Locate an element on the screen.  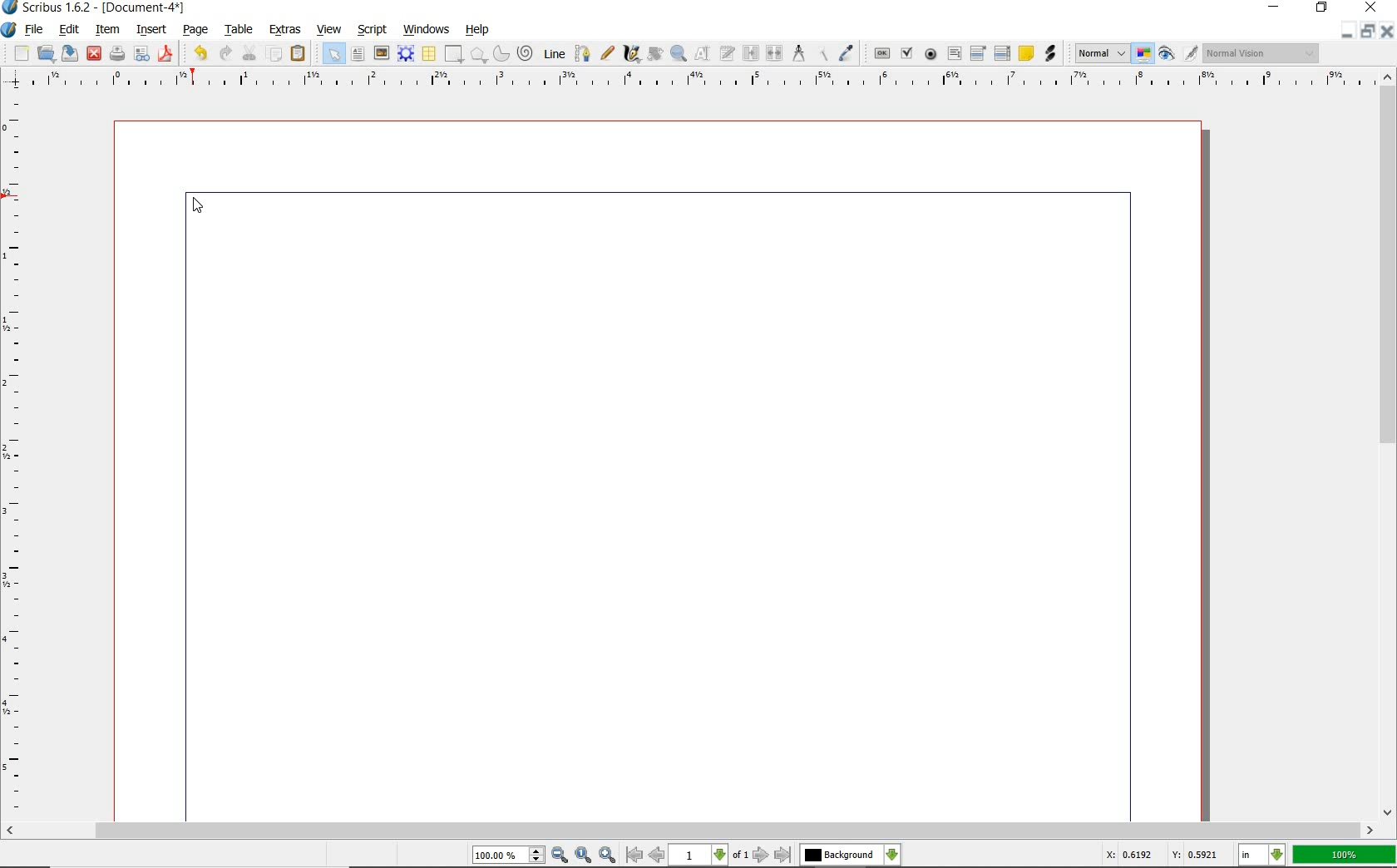
page is located at coordinates (197, 31).